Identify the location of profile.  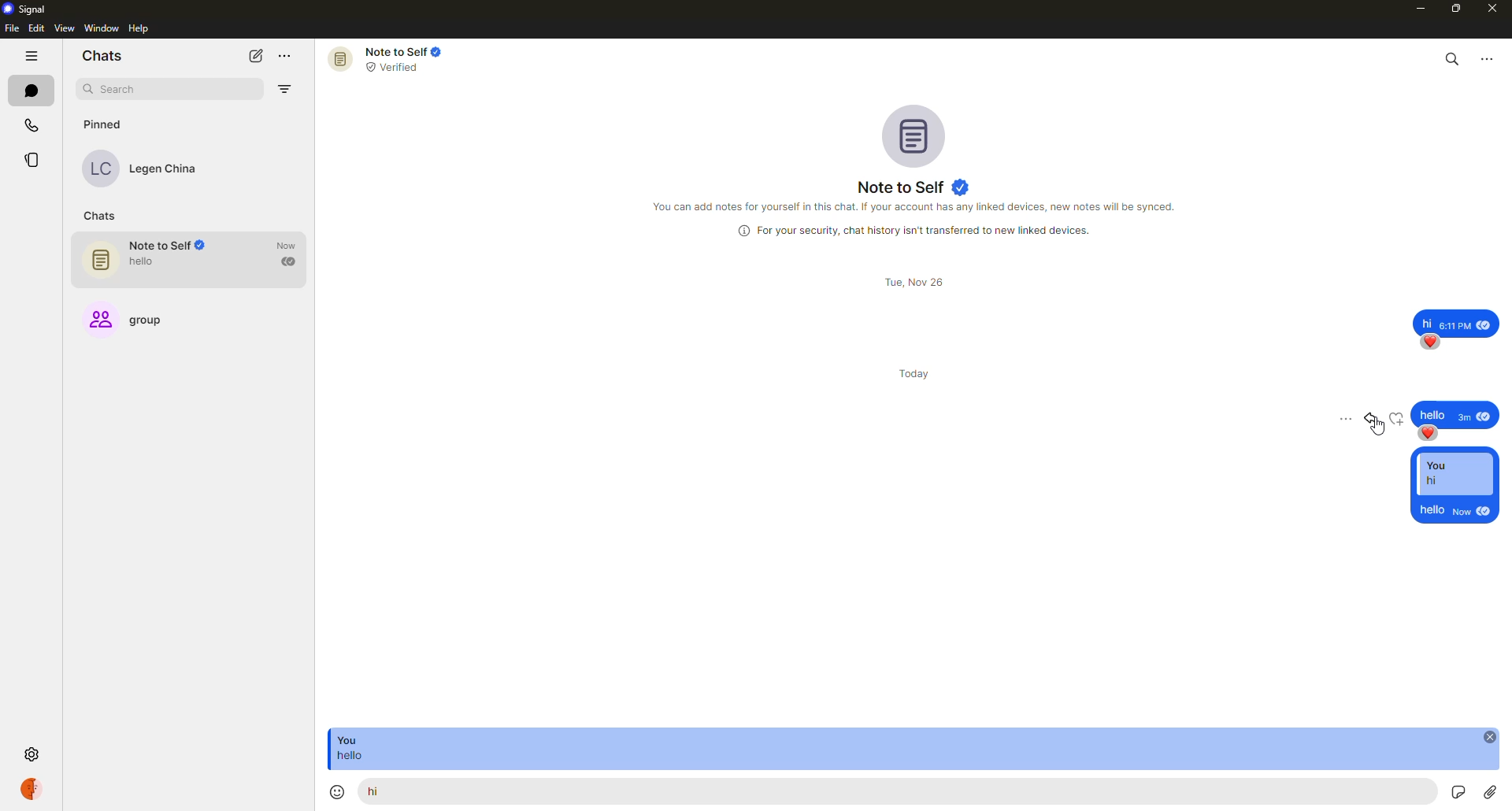
(38, 788).